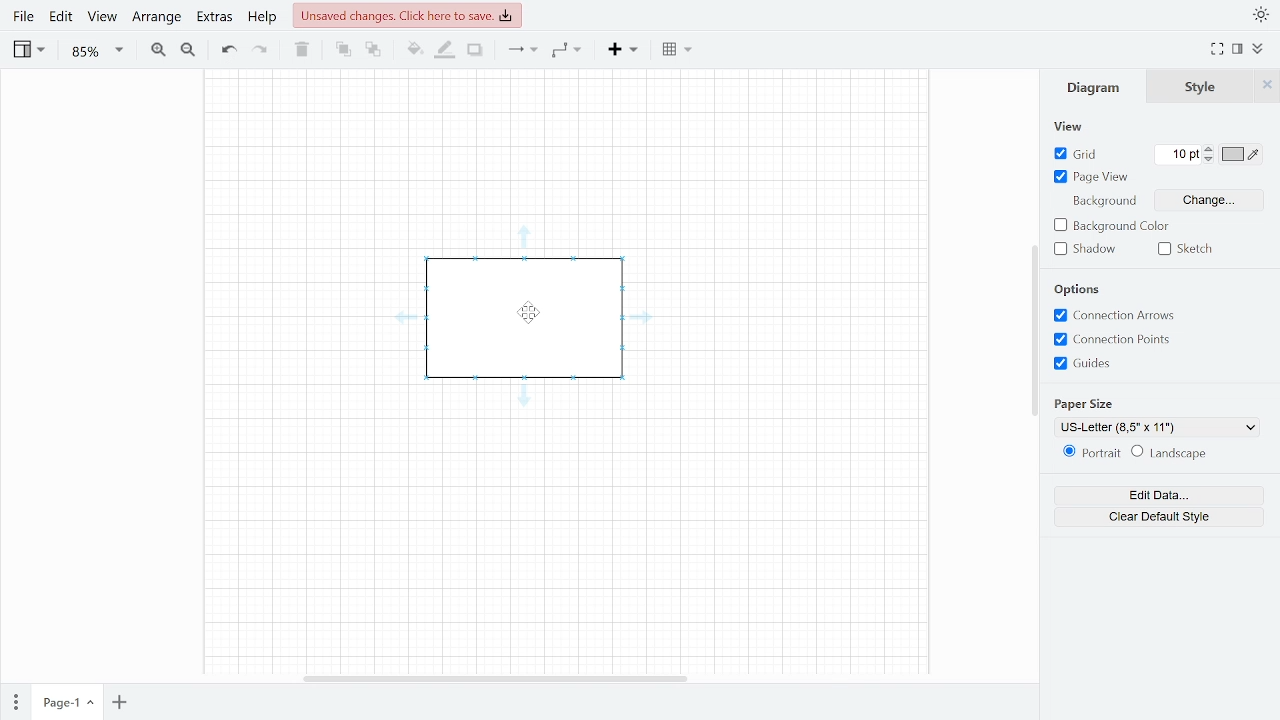  Describe the element at coordinates (533, 315) in the screenshot. I see `Cursor` at that location.